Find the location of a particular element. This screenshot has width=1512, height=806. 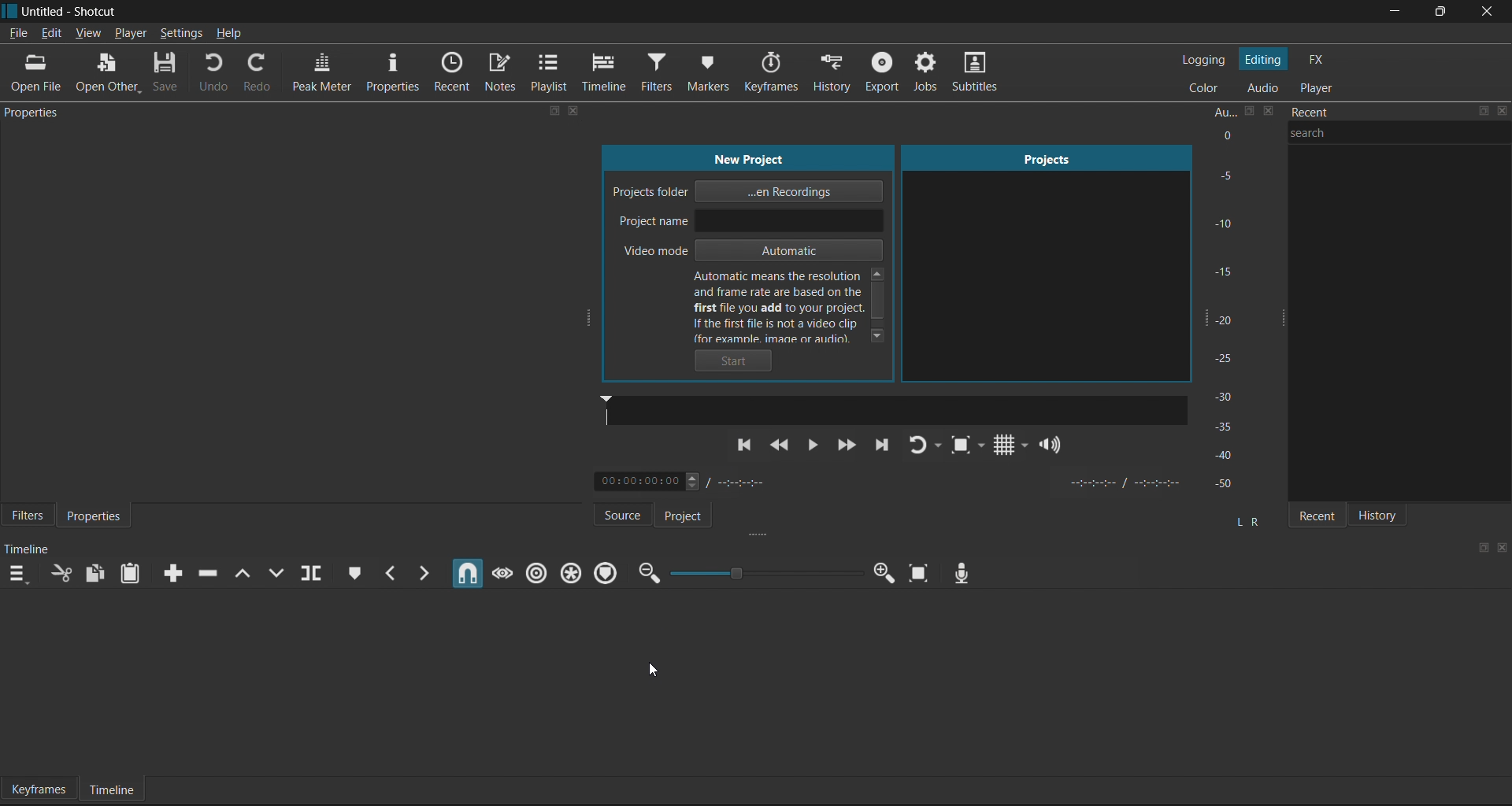

View is located at coordinates (88, 31).